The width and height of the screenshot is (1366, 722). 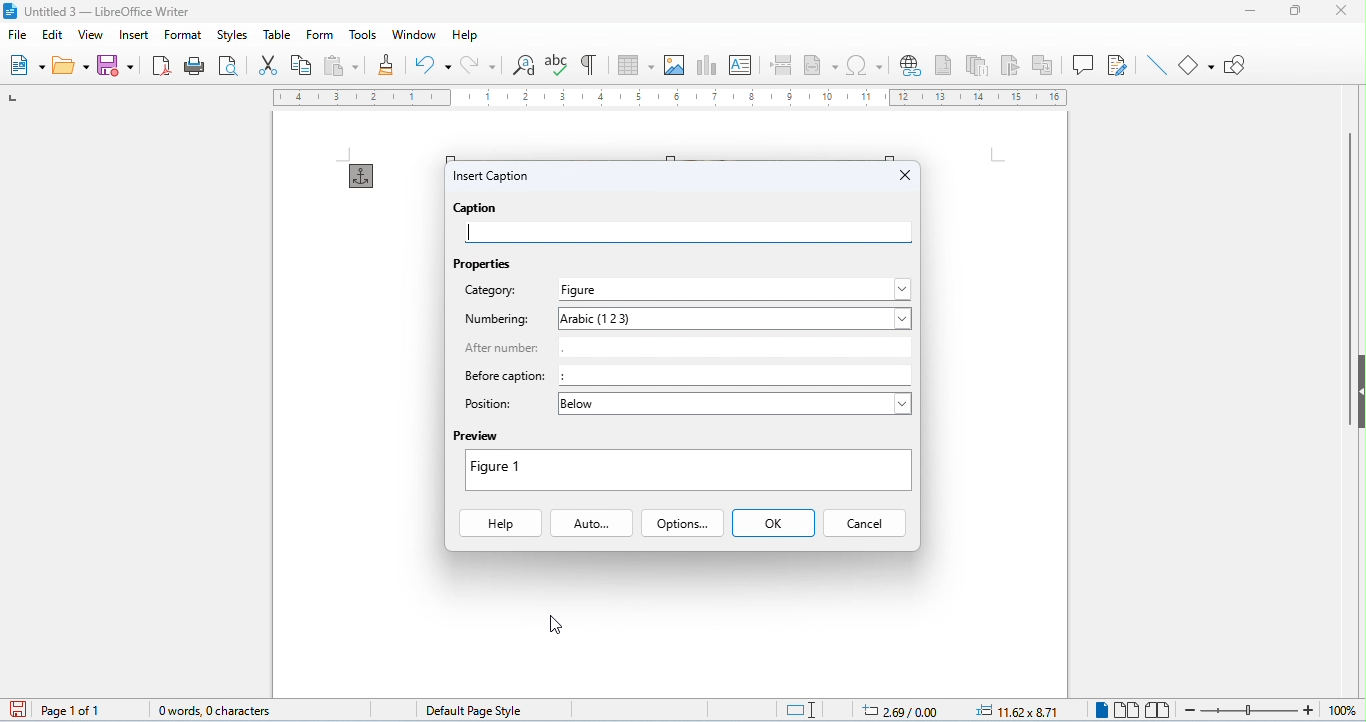 What do you see at coordinates (559, 64) in the screenshot?
I see `spelling` at bounding box center [559, 64].